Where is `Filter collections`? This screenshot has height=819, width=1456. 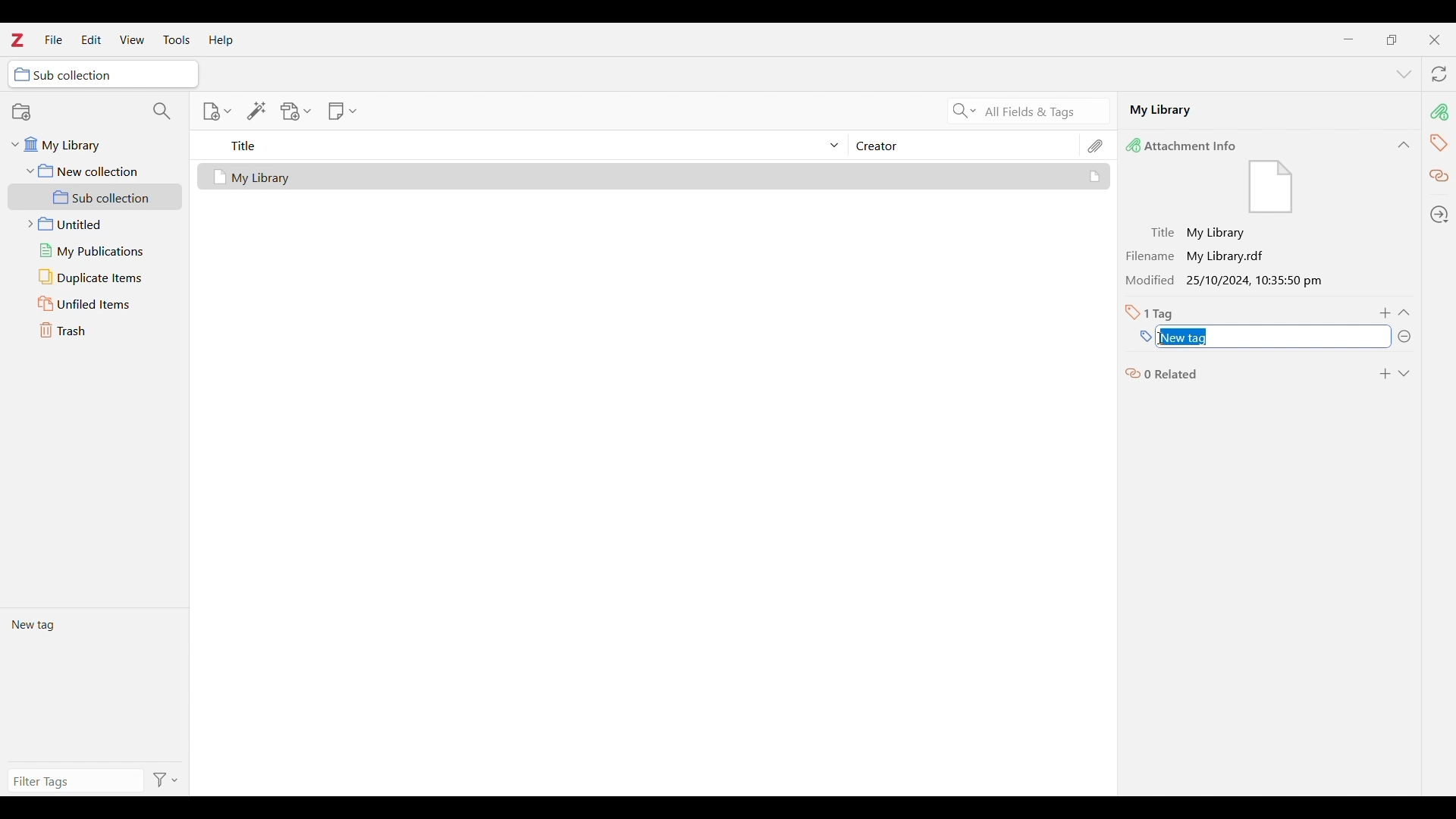 Filter collections is located at coordinates (162, 111).